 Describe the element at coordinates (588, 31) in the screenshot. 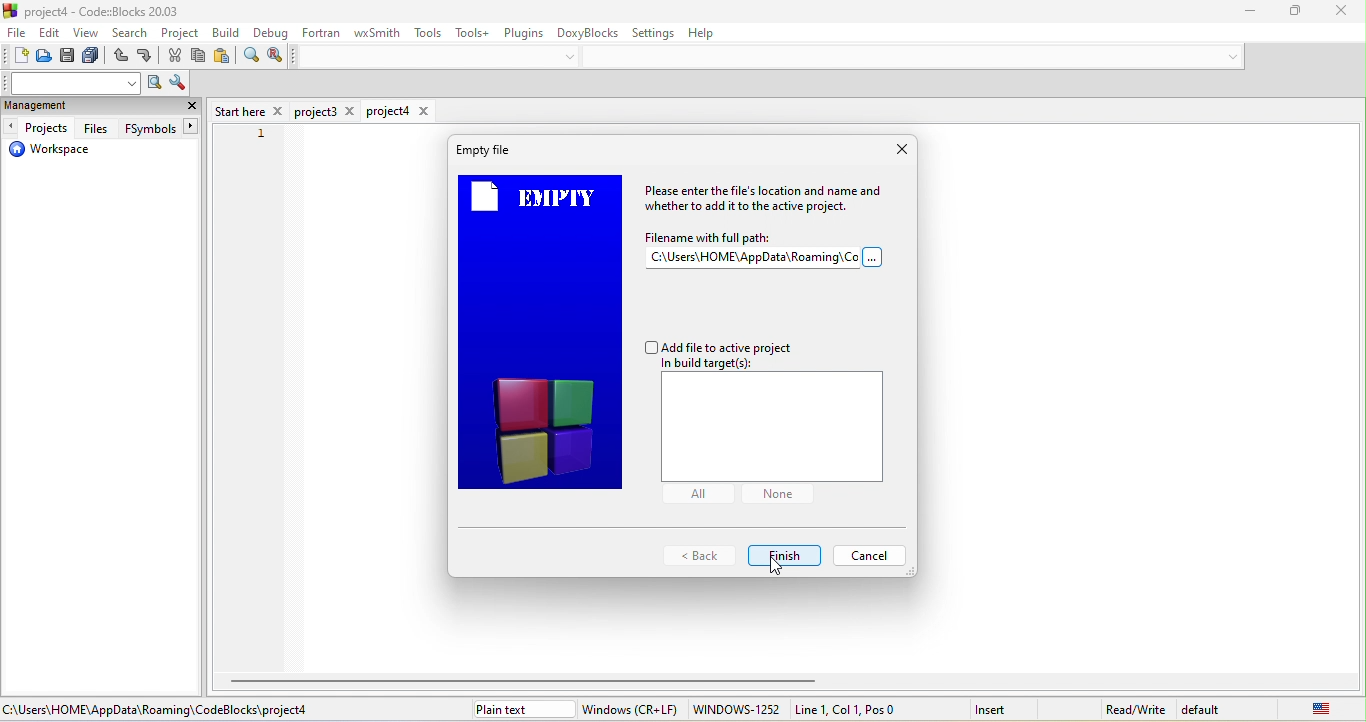

I see `doxyblocks` at that location.